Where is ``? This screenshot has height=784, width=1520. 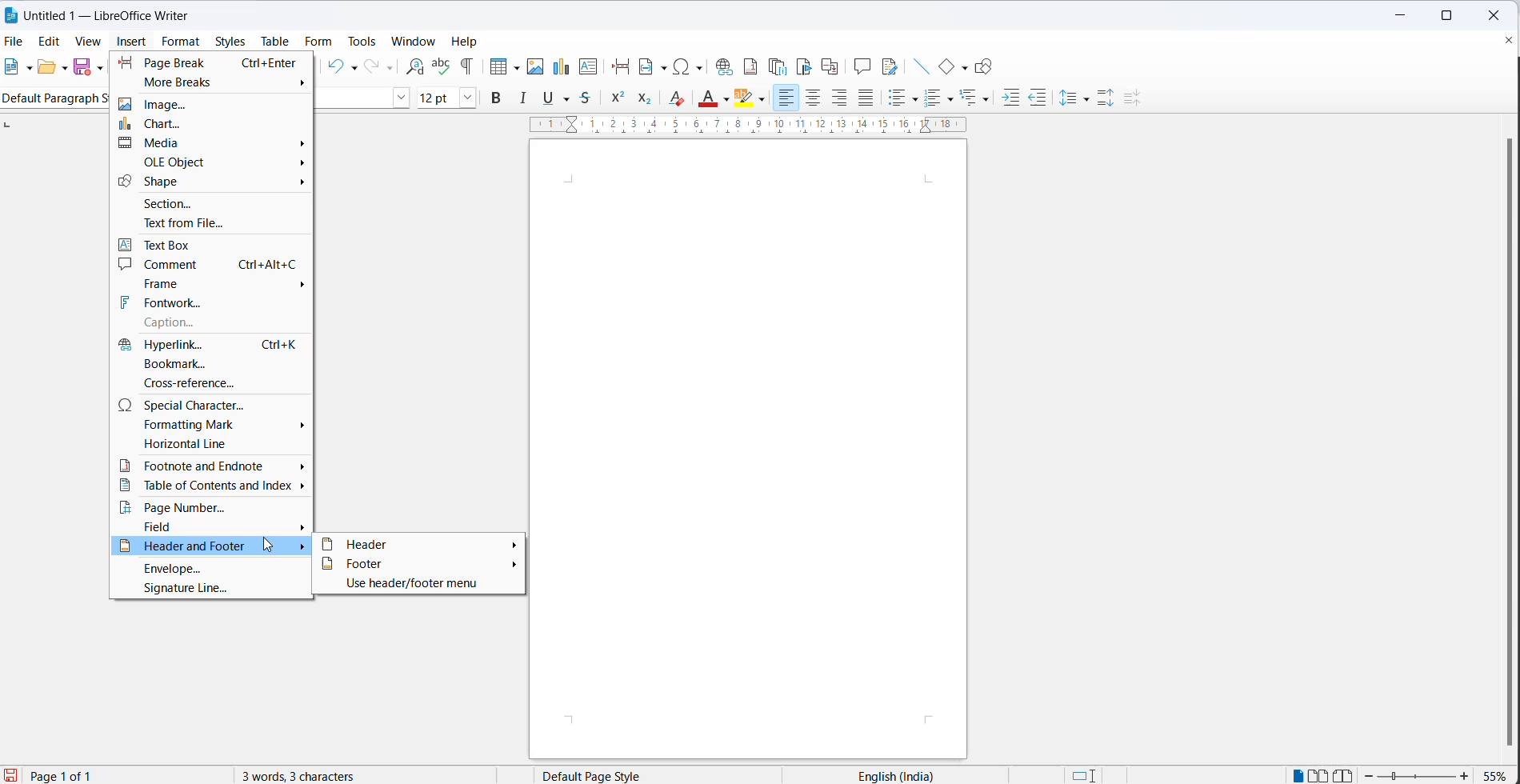
 is located at coordinates (215, 546).